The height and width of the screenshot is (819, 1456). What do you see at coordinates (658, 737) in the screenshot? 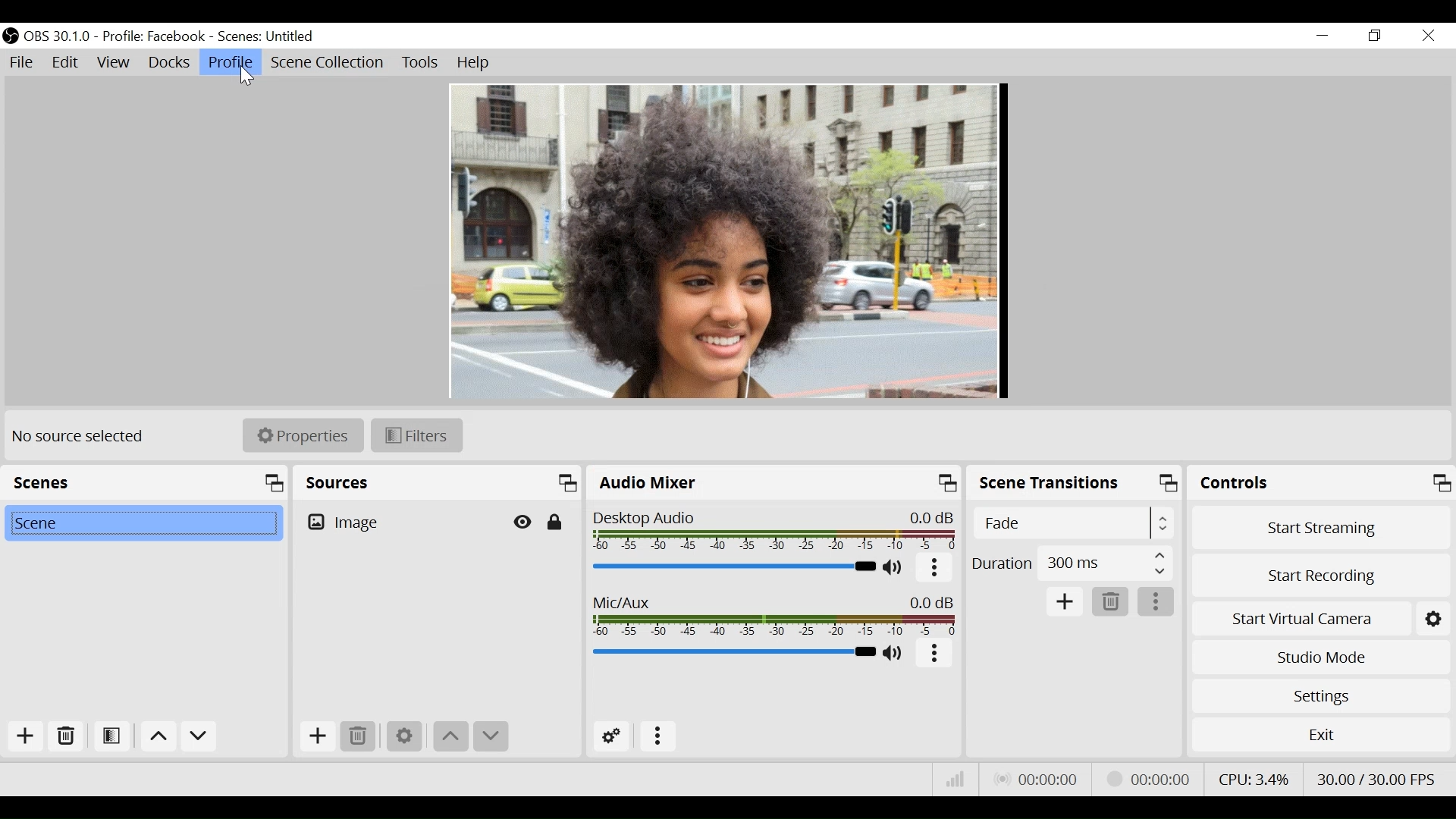
I see `More Options` at bounding box center [658, 737].